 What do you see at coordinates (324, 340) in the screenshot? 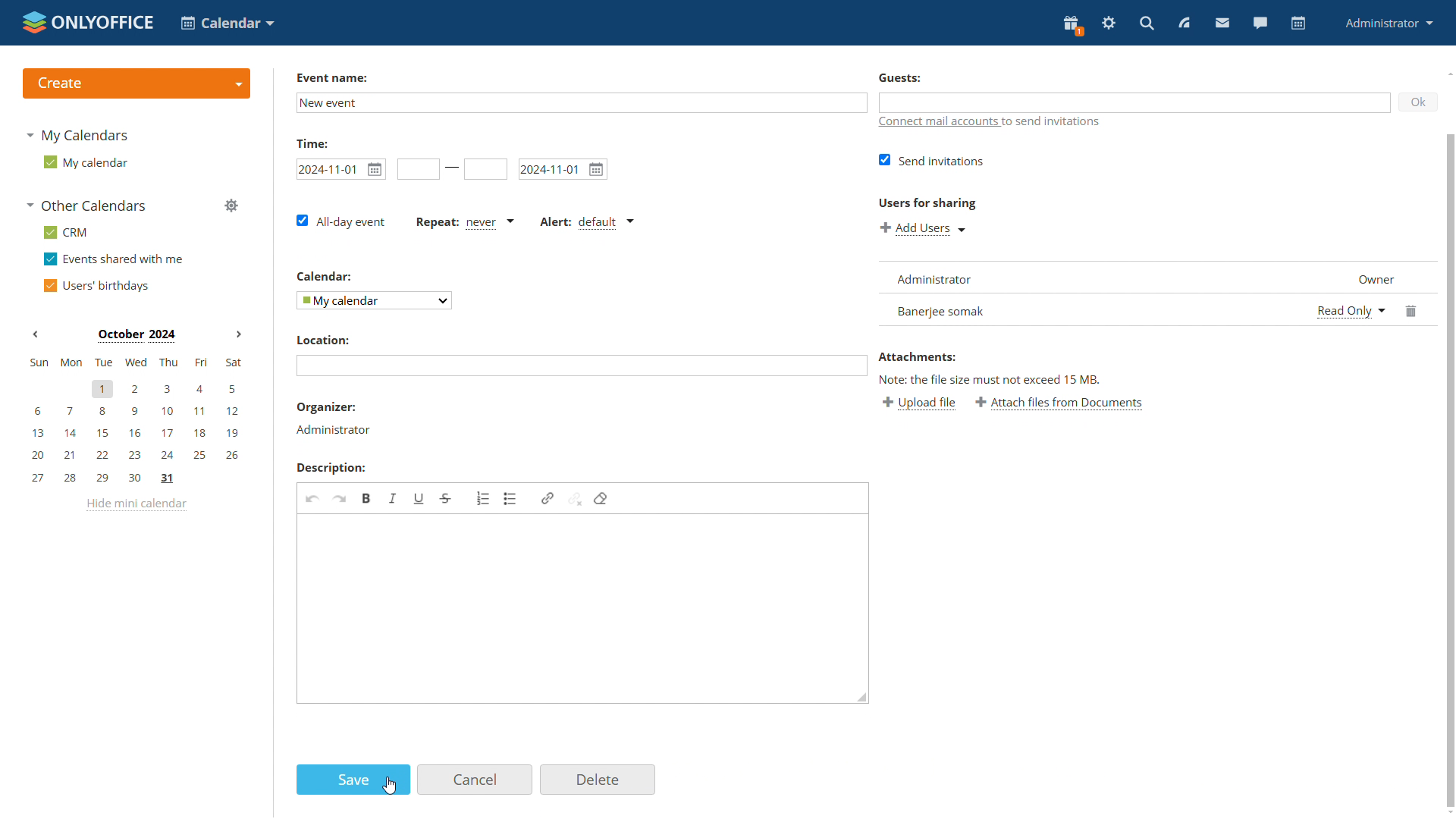
I see `Location` at bounding box center [324, 340].